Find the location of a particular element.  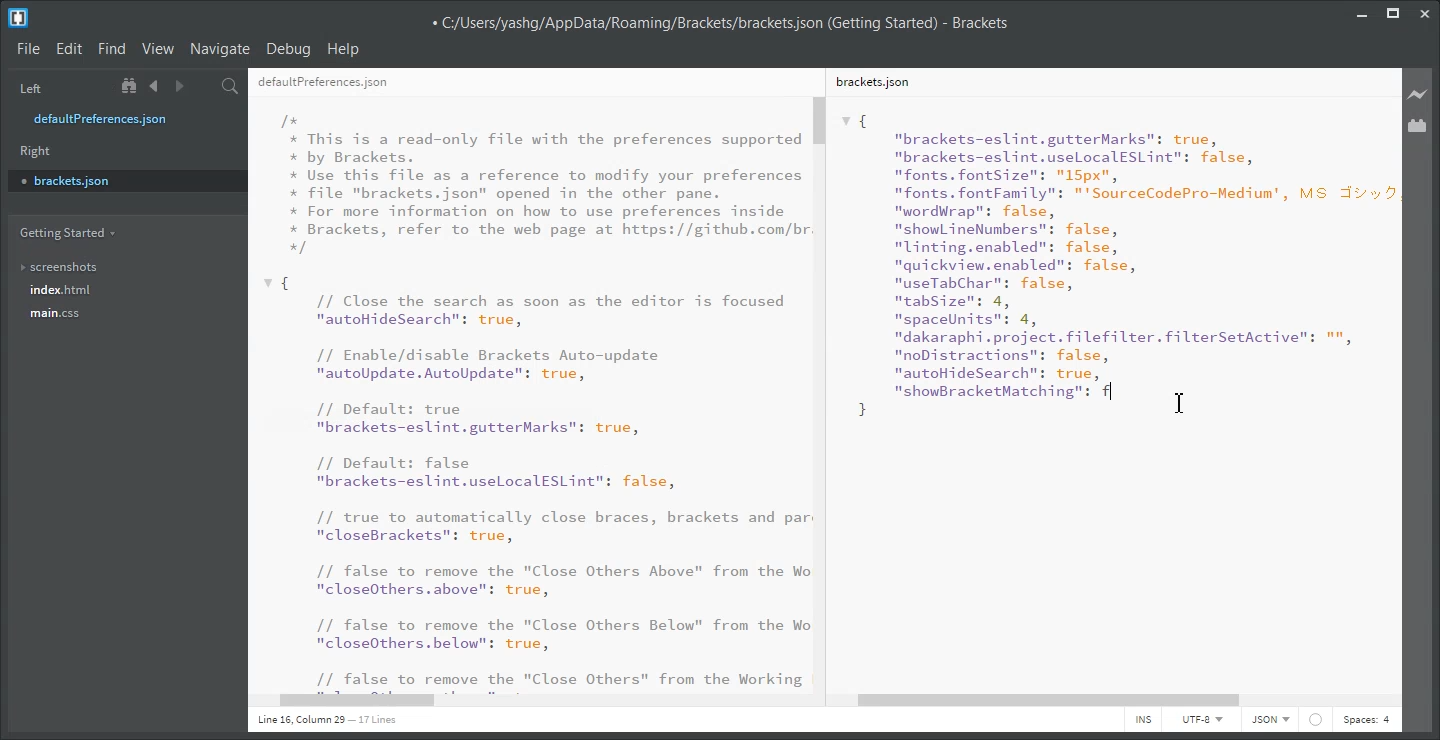

Horizontal Scroll Bar is located at coordinates (1116, 701).